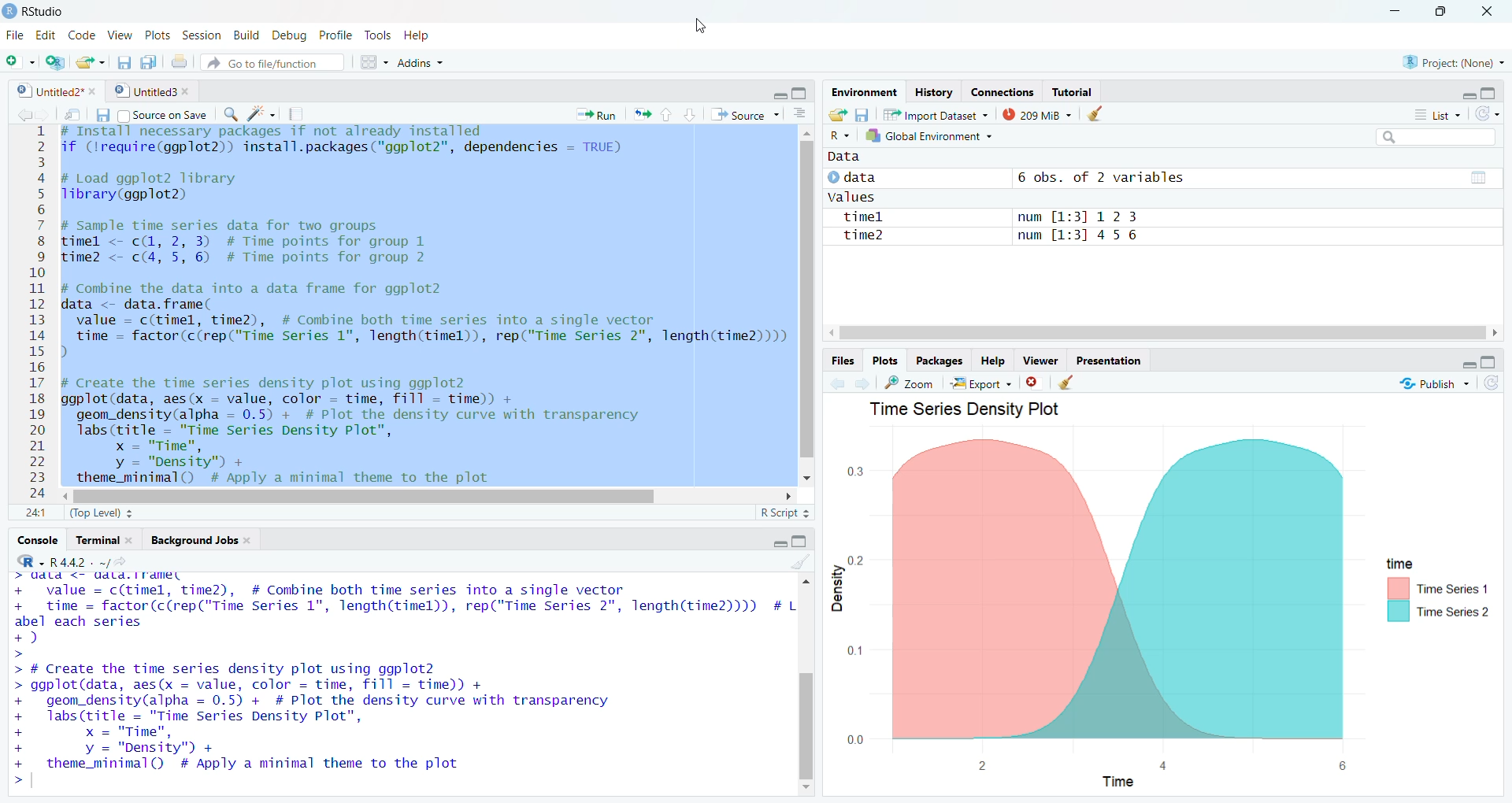 This screenshot has width=1512, height=803. What do you see at coordinates (1162, 333) in the screenshot?
I see `Scroll` at bounding box center [1162, 333].